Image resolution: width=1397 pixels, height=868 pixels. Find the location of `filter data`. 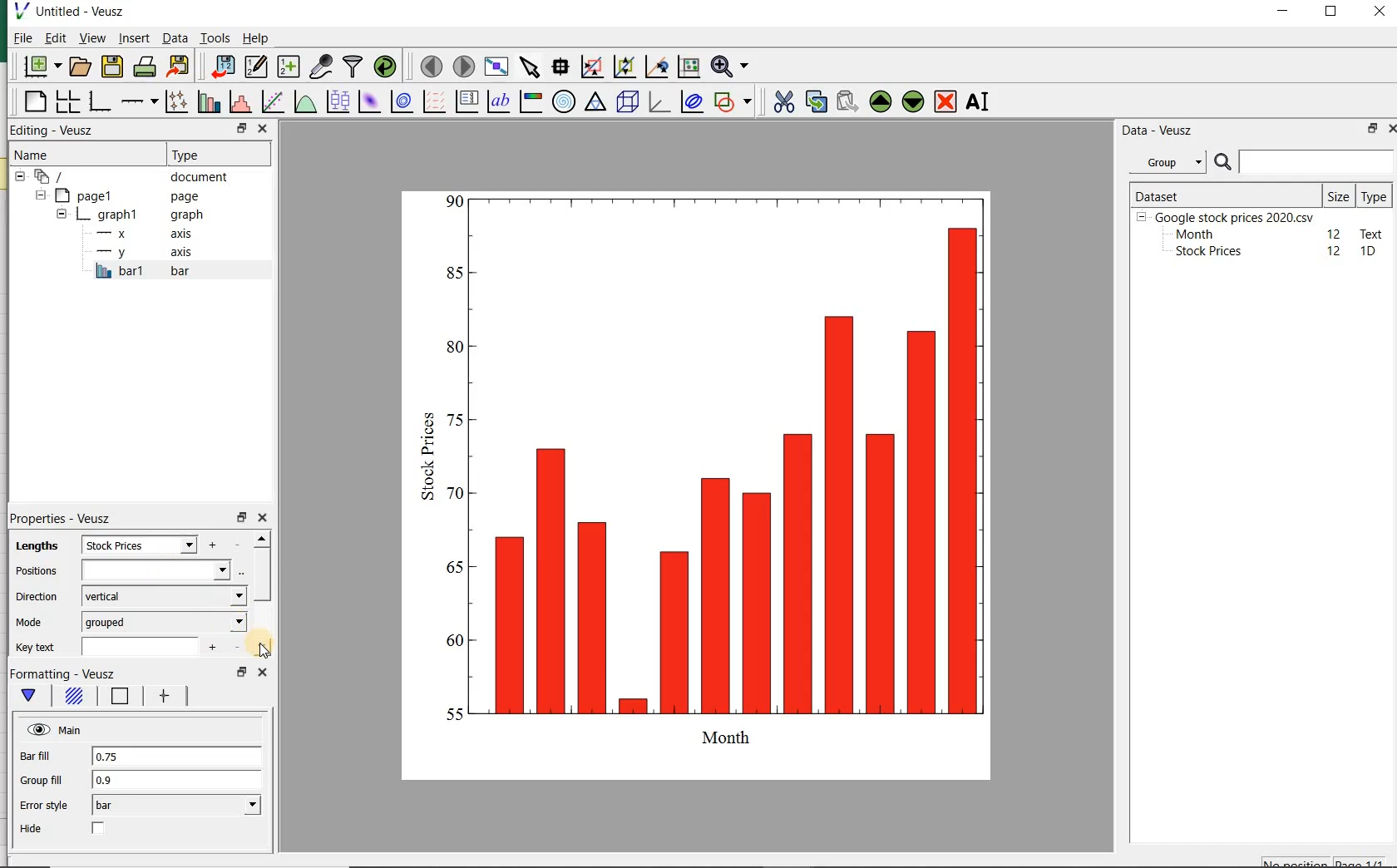

filter data is located at coordinates (353, 66).